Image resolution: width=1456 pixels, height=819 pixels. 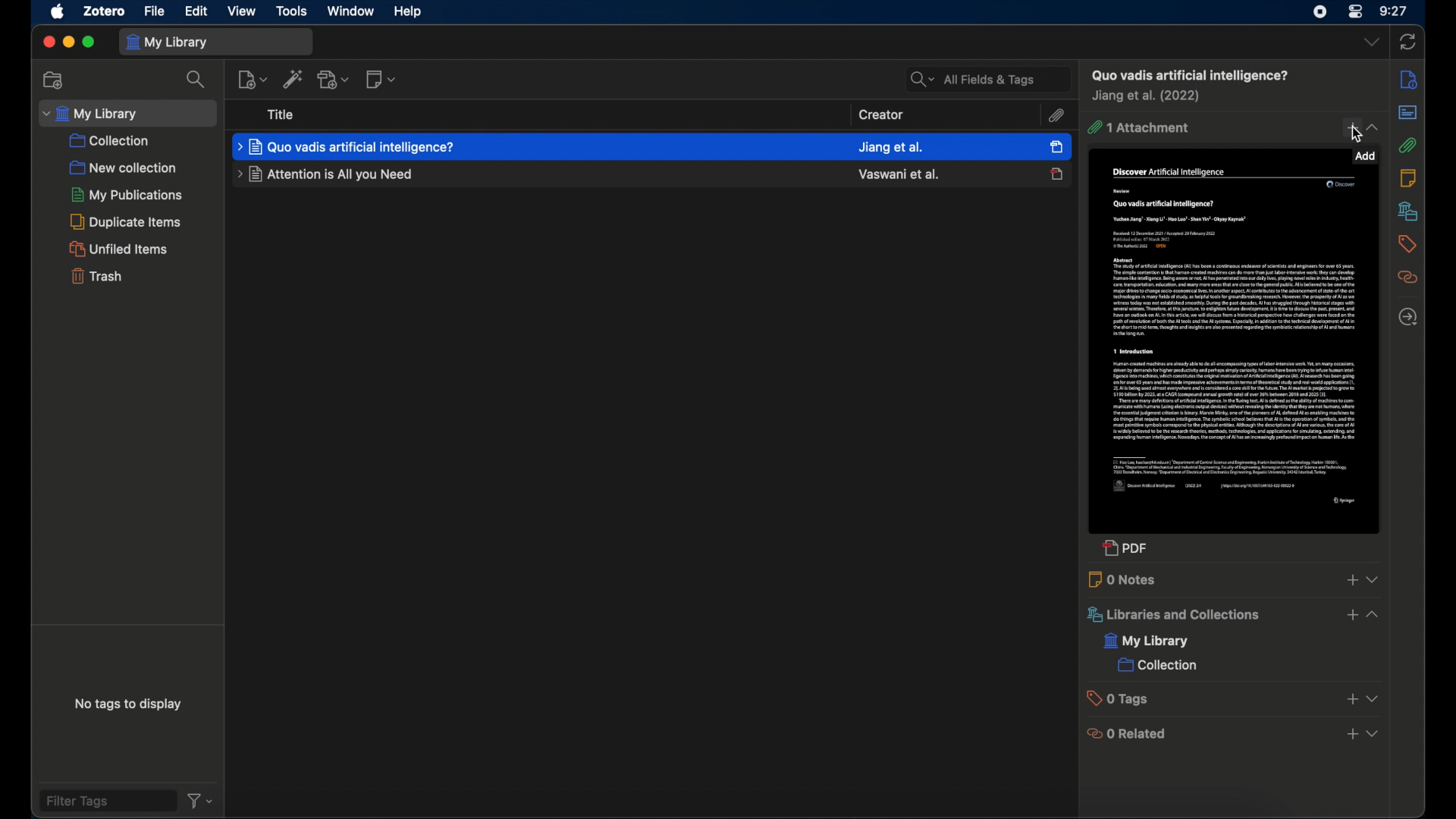 I want to click on add, so click(x=1351, y=700).